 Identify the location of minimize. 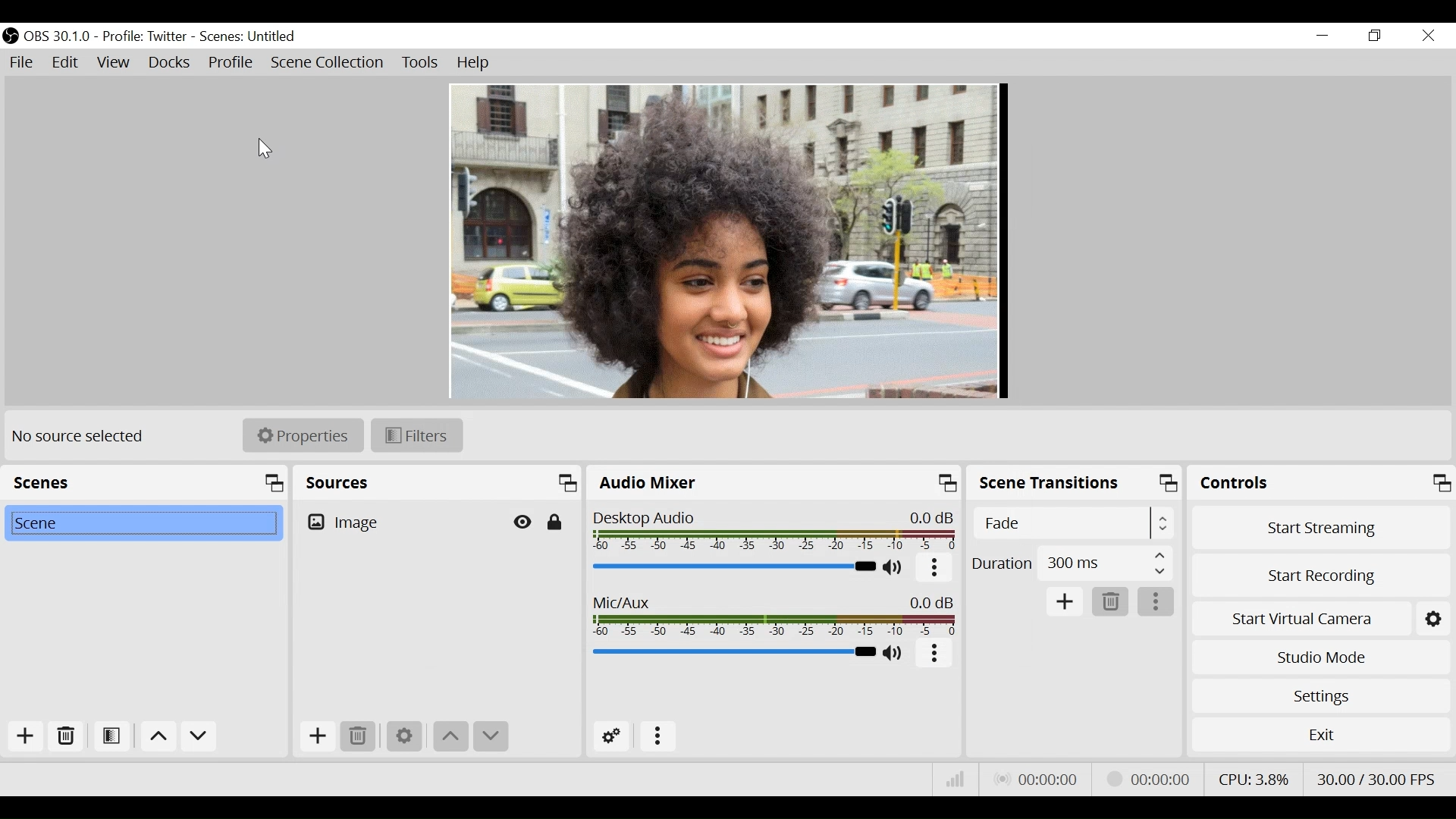
(1321, 37).